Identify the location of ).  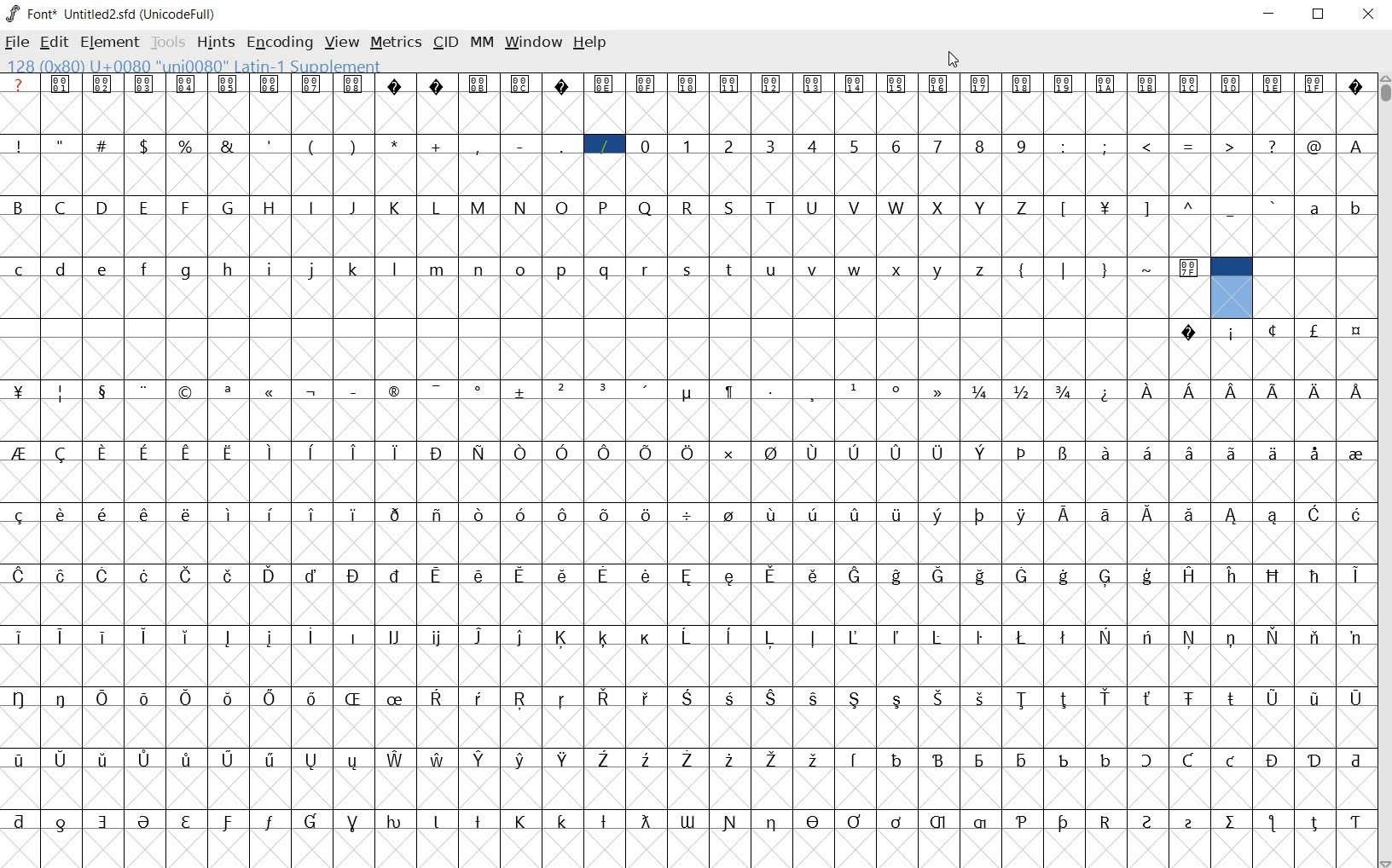
(356, 146).